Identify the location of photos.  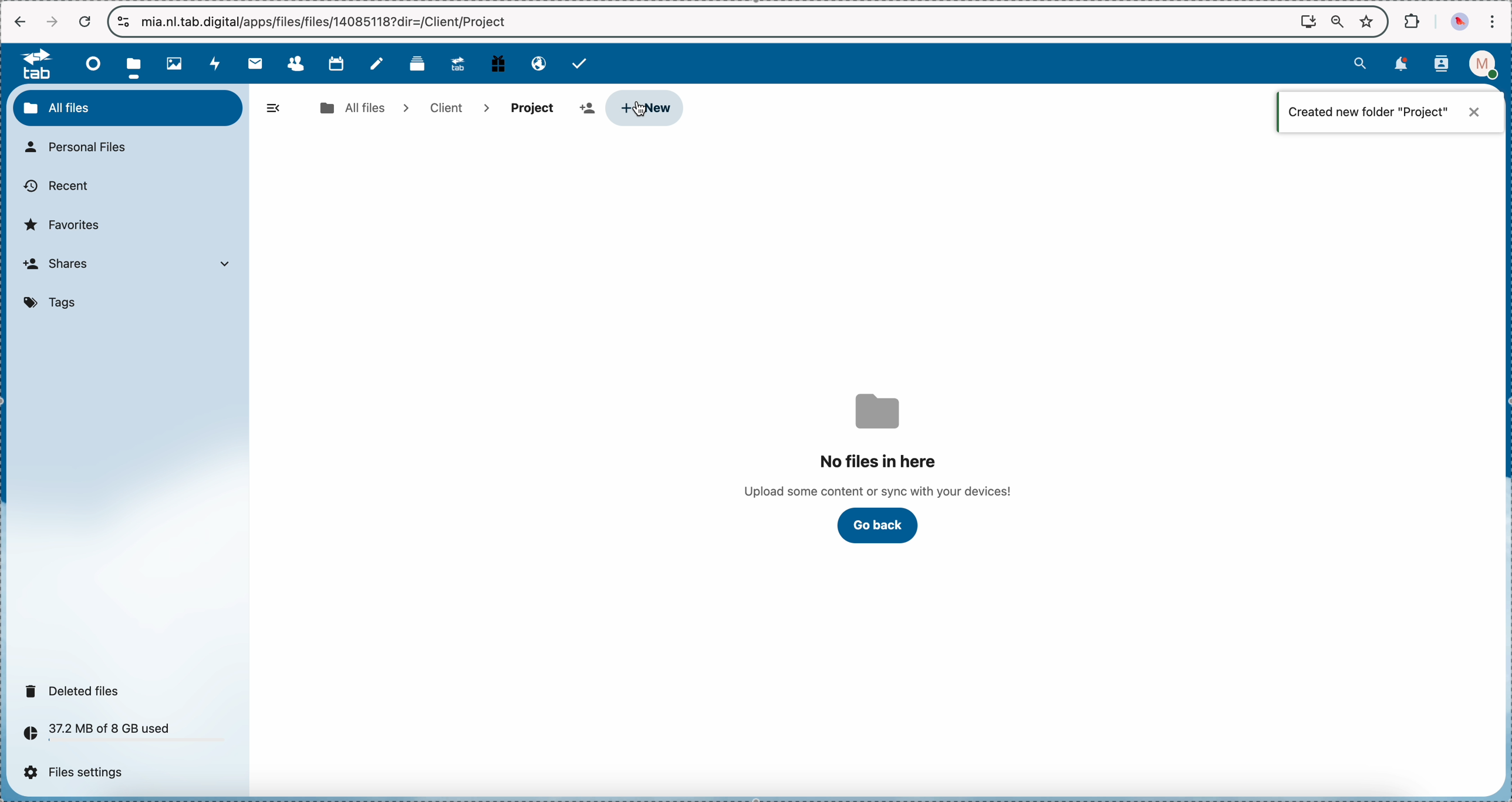
(178, 64).